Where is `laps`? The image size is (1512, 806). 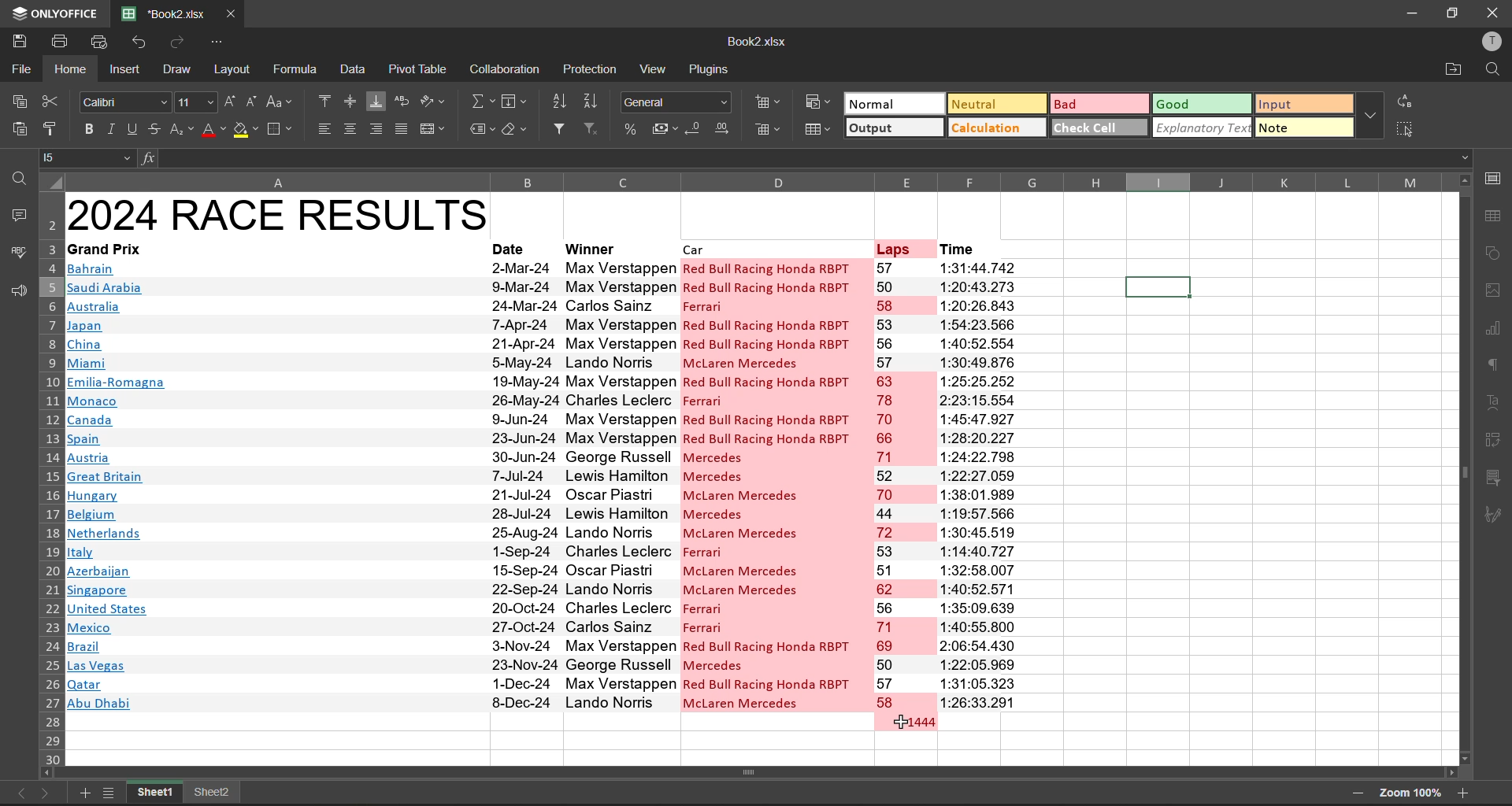 laps is located at coordinates (897, 248).